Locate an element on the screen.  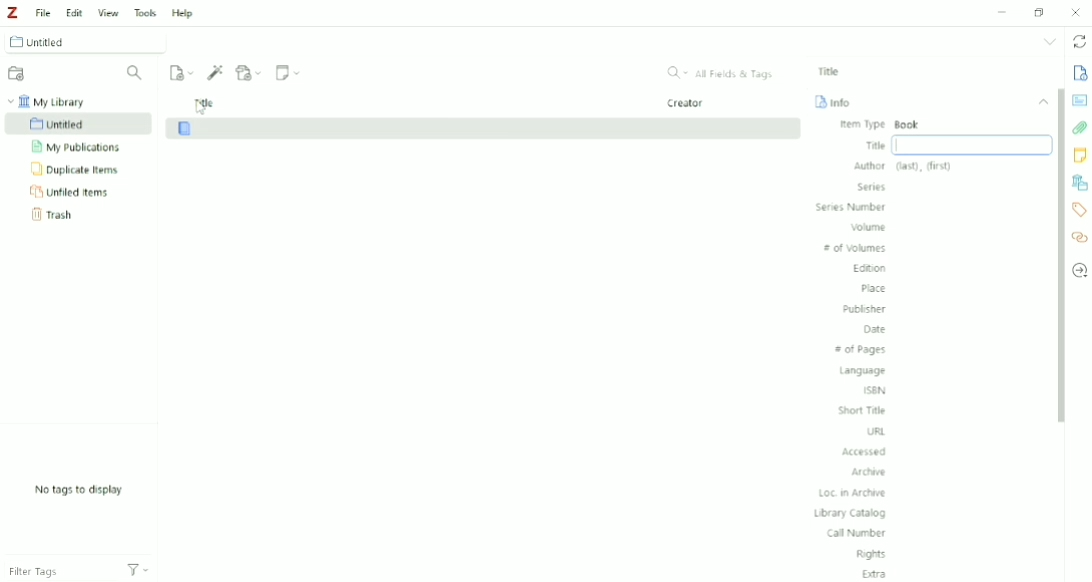
Language is located at coordinates (863, 371).